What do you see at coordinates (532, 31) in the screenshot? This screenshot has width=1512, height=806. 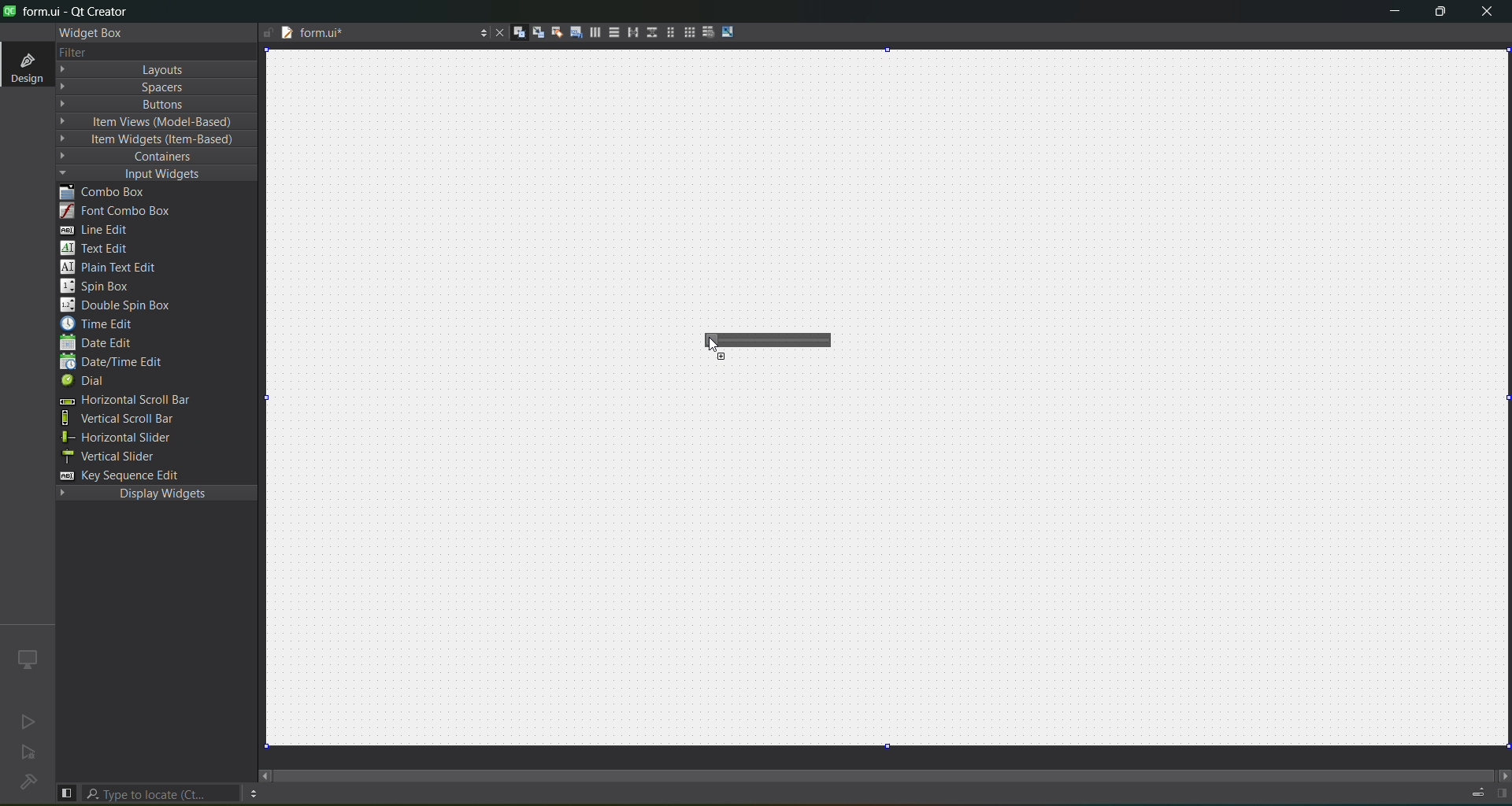 I see `signals` at bounding box center [532, 31].